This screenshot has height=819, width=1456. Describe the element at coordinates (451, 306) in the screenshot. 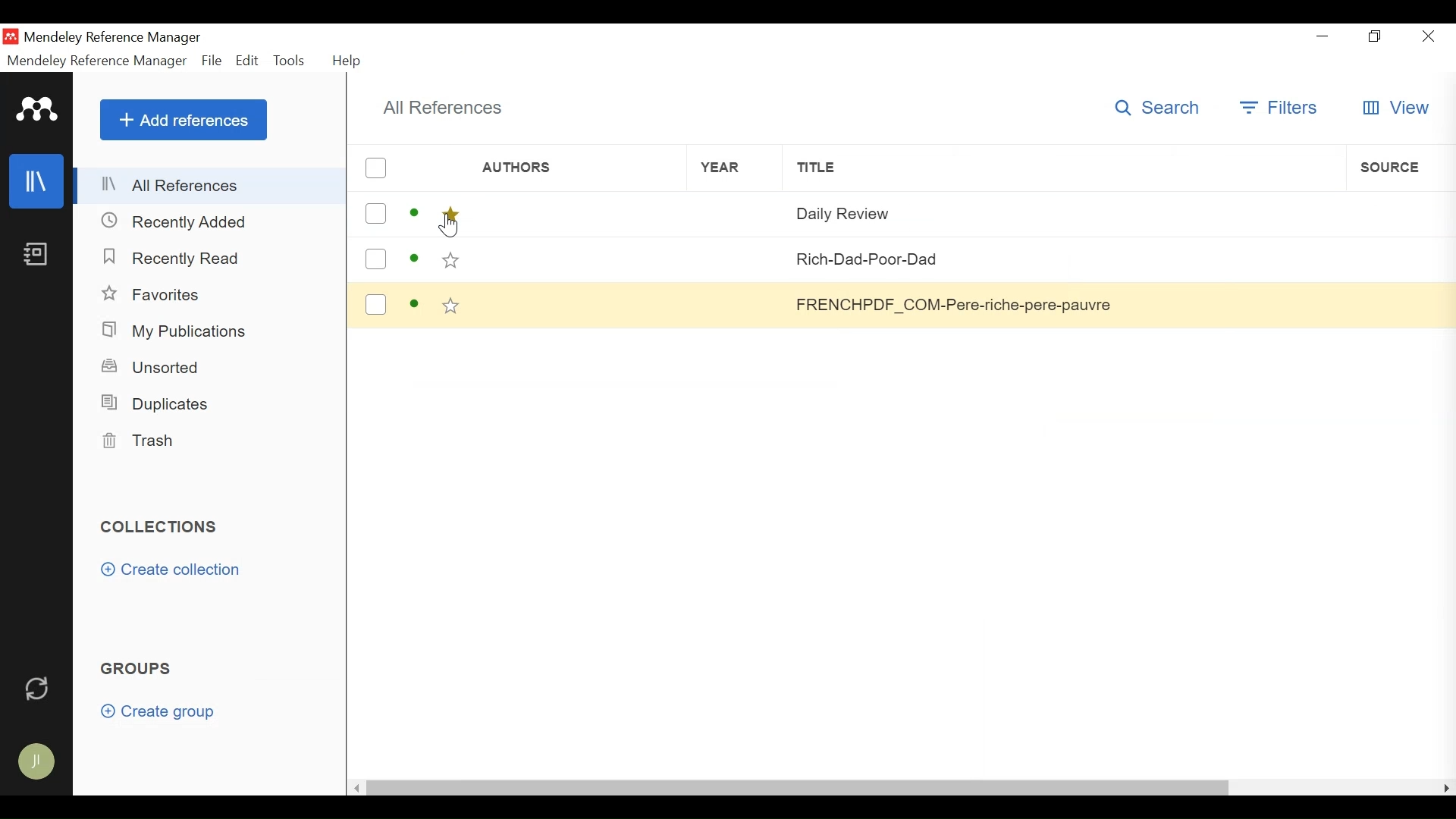

I see `(un)select Favorite"` at that location.